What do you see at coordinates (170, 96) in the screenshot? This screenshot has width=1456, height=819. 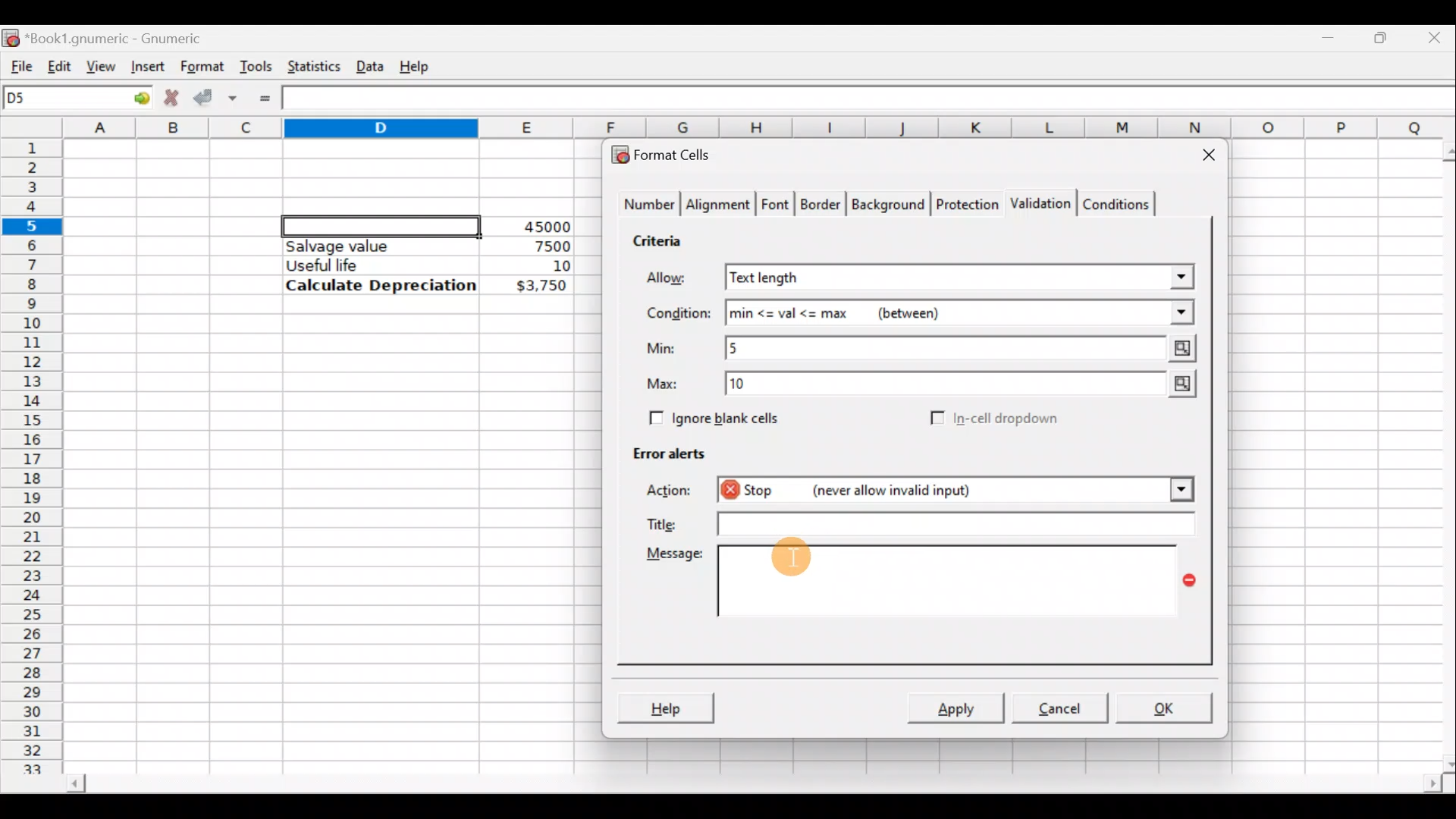 I see `Cancel change` at bounding box center [170, 96].